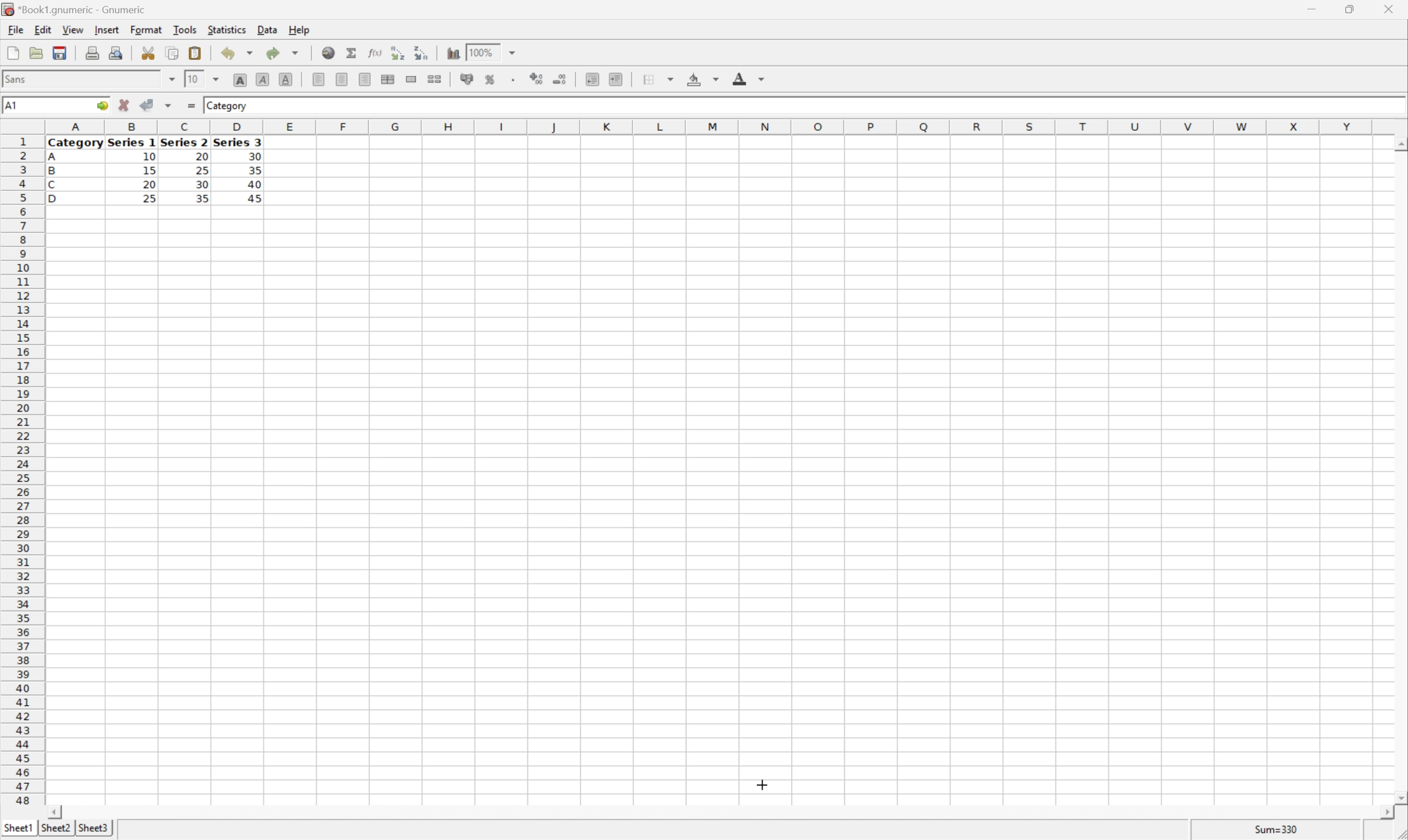  What do you see at coordinates (132, 143) in the screenshot?
I see `Series 1` at bounding box center [132, 143].